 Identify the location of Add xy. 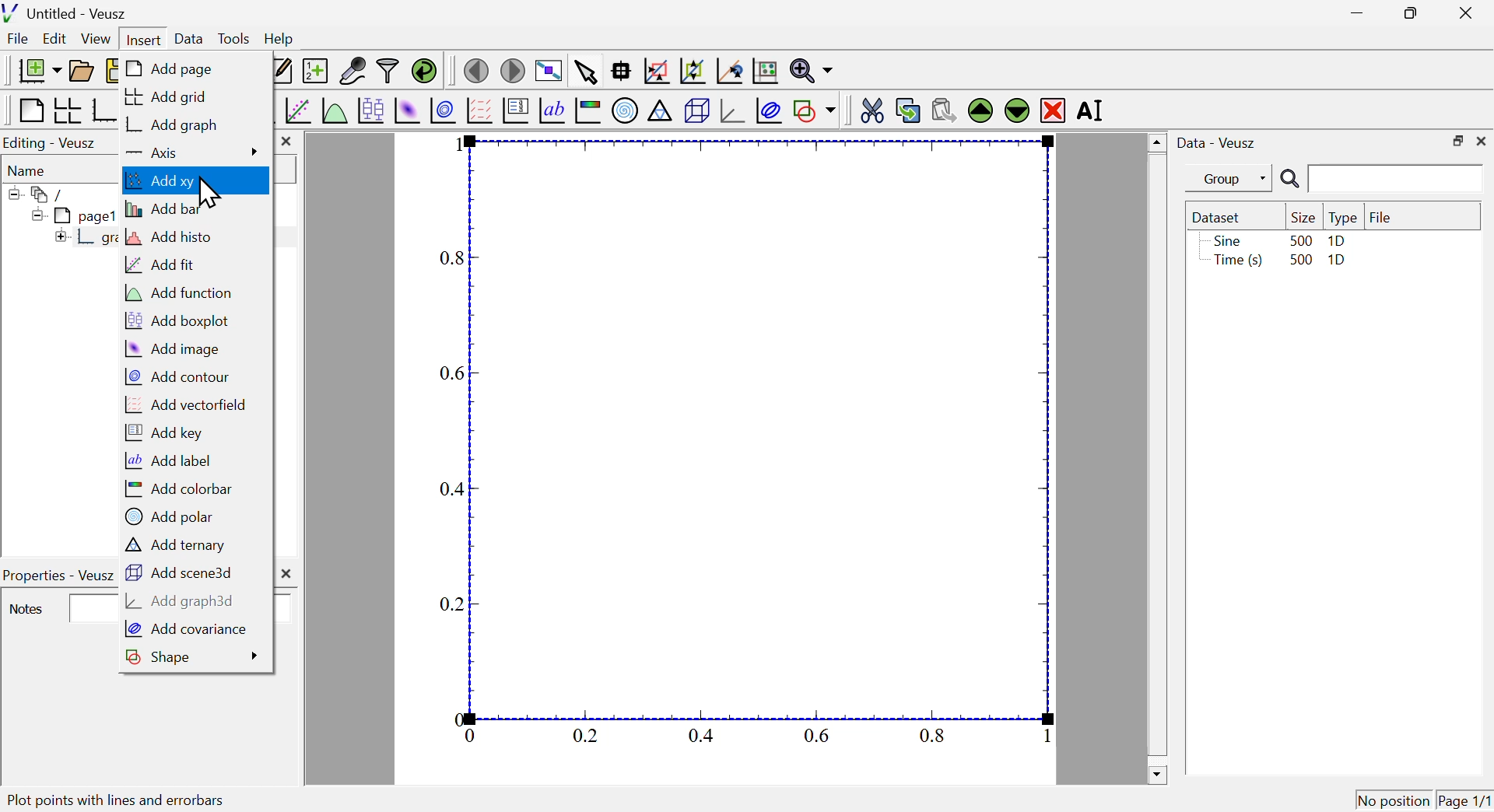
(170, 181).